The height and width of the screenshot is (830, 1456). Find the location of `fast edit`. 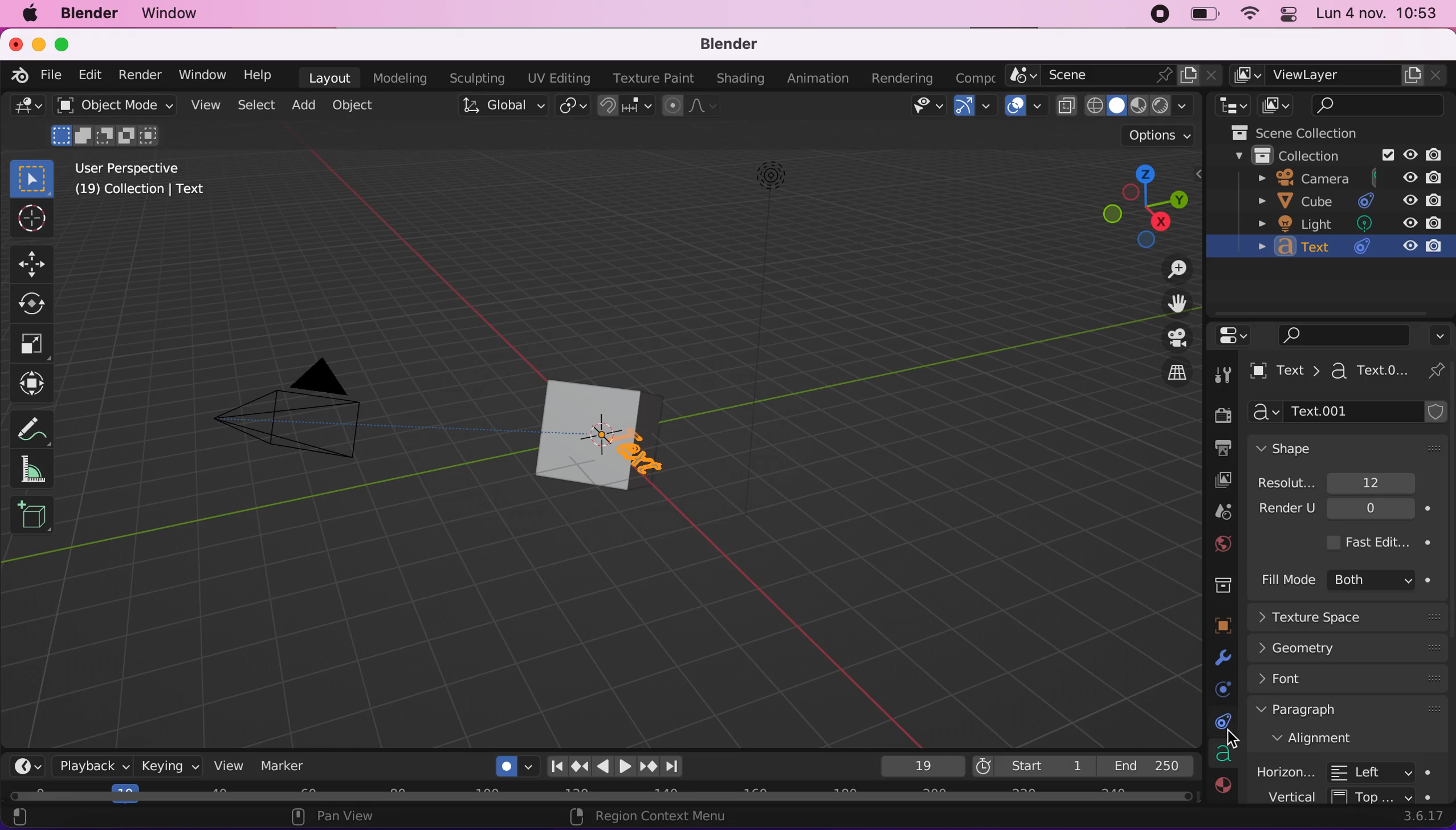

fast edit is located at coordinates (1381, 542).